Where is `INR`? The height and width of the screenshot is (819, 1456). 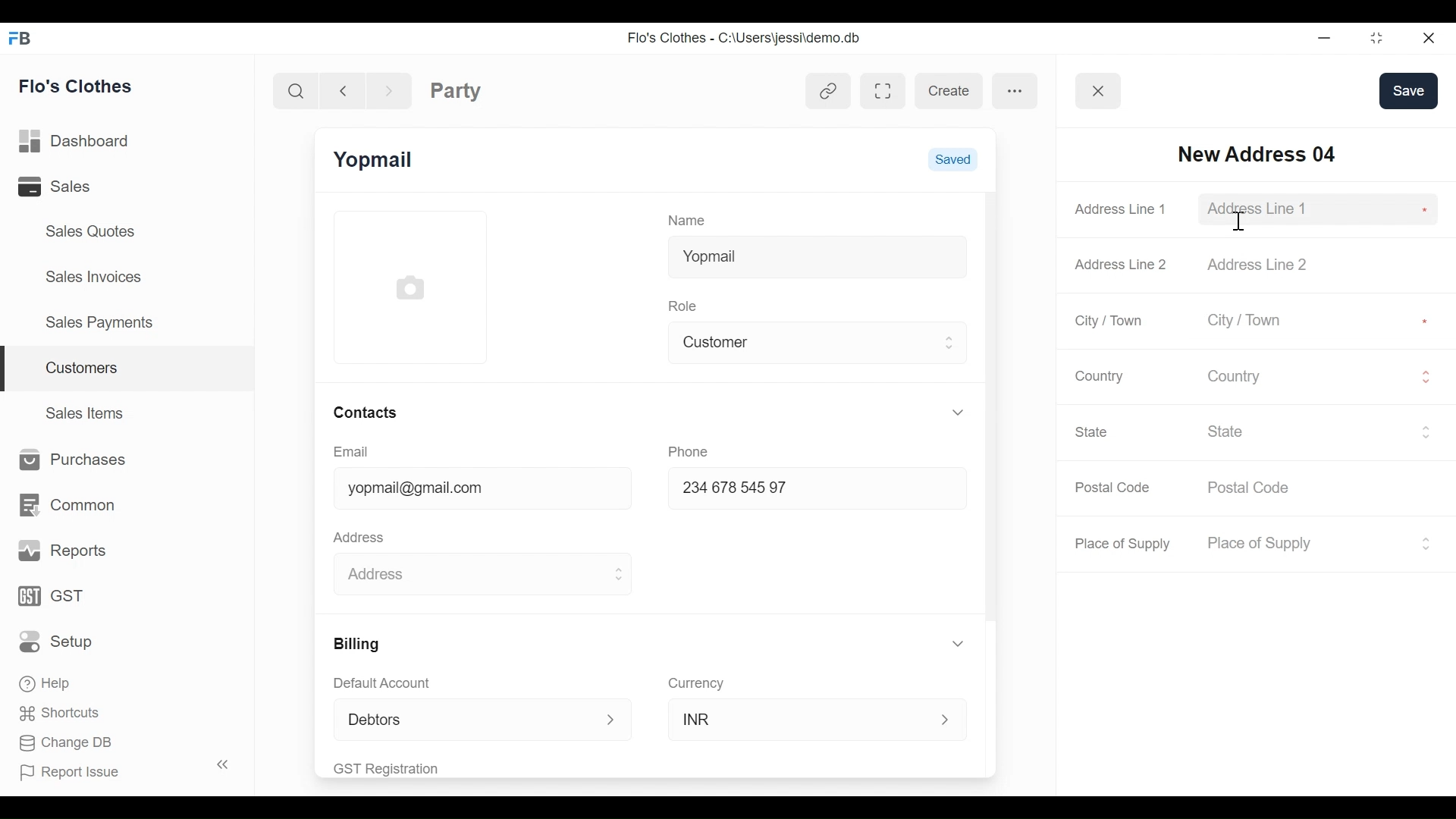 INR is located at coordinates (801, 718).